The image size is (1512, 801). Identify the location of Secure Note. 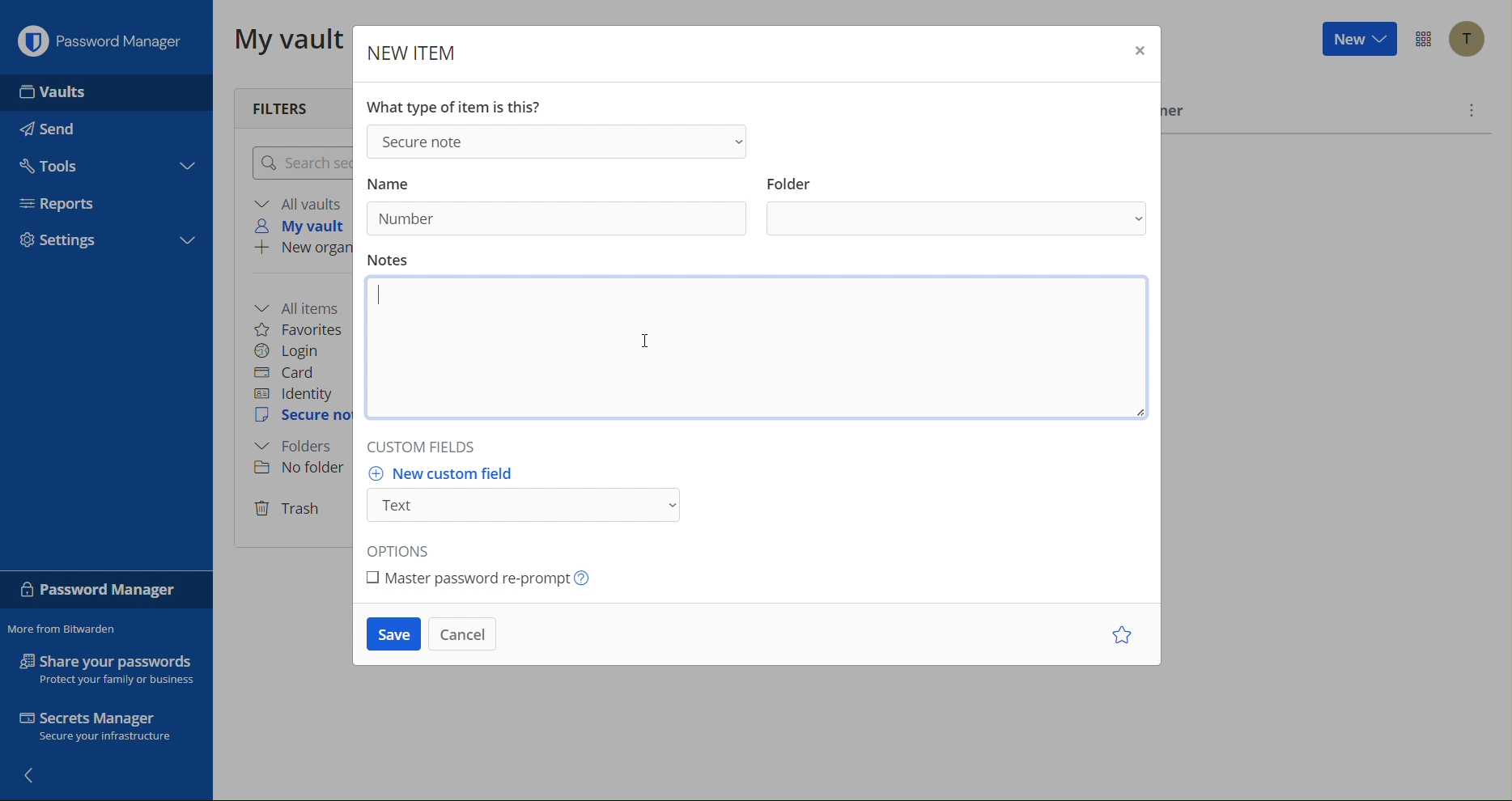
(560, 141).